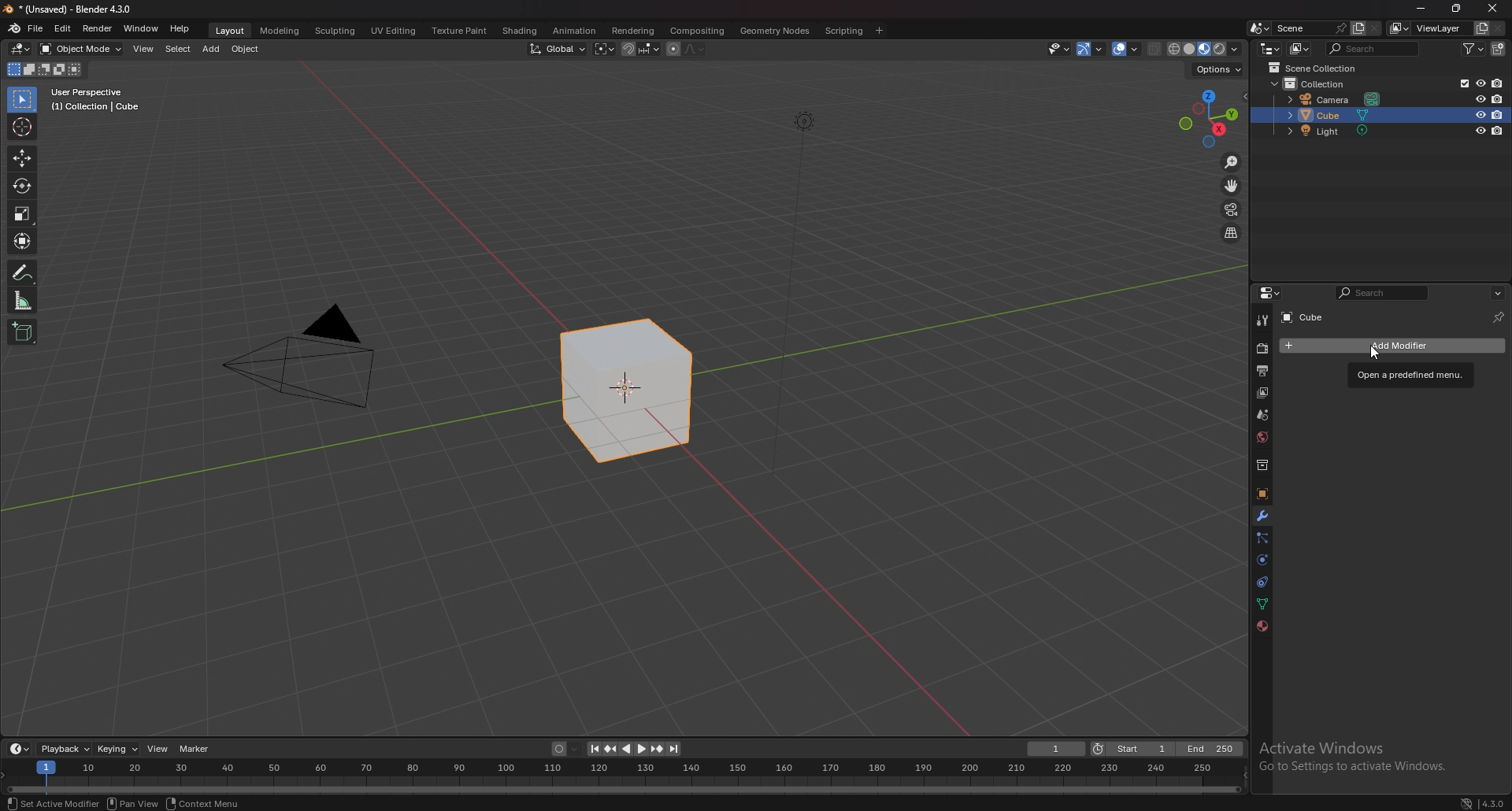 Image resolution: width=1512 pixels, height=811 pixels. I want to click on jump to endpoint, so click(676, 749).